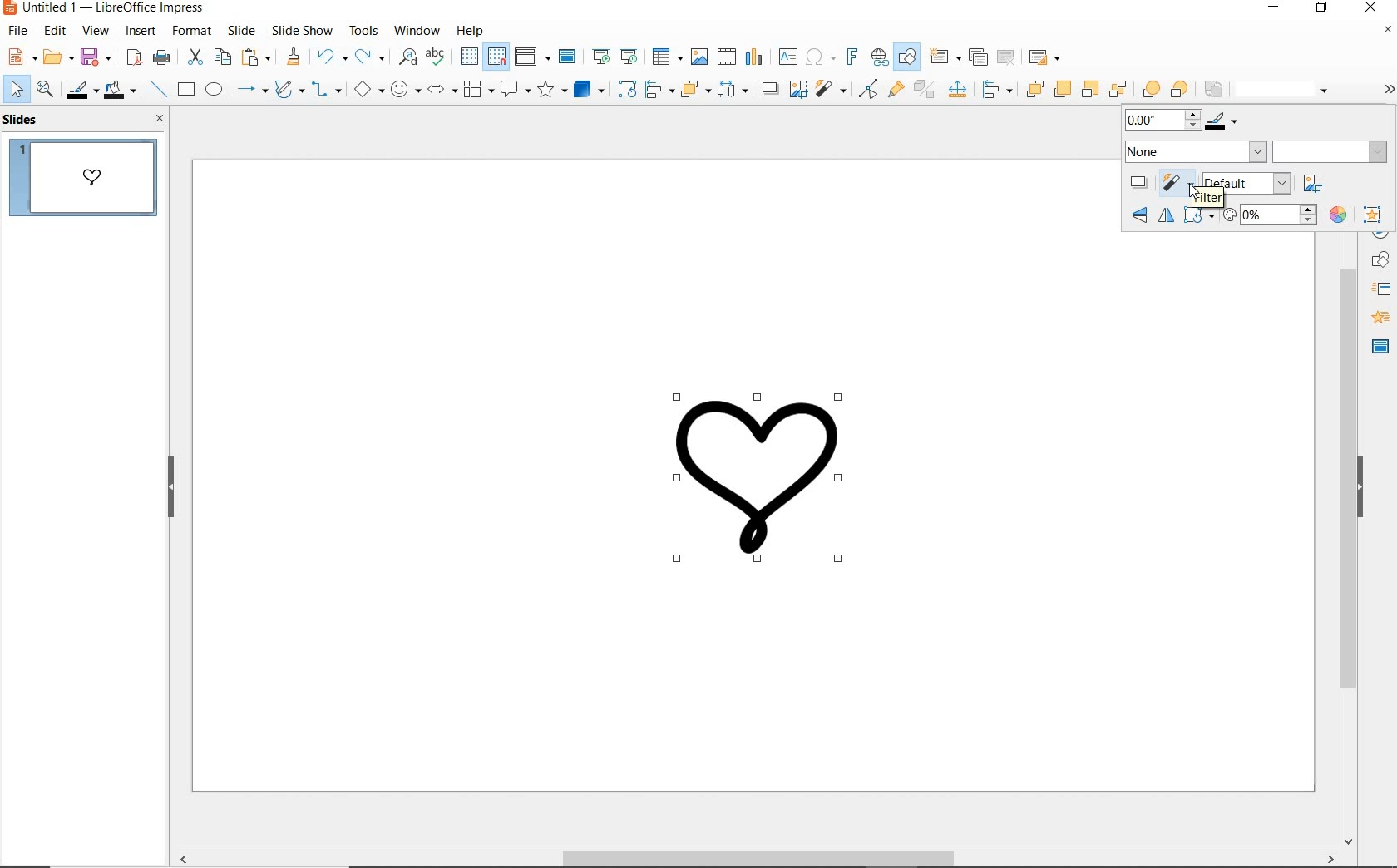 The image size is (1397, 868). What do you see at coordinates (23, 120) in the screenshot?
I see `SLIDES` at bounding box center [23, 120].